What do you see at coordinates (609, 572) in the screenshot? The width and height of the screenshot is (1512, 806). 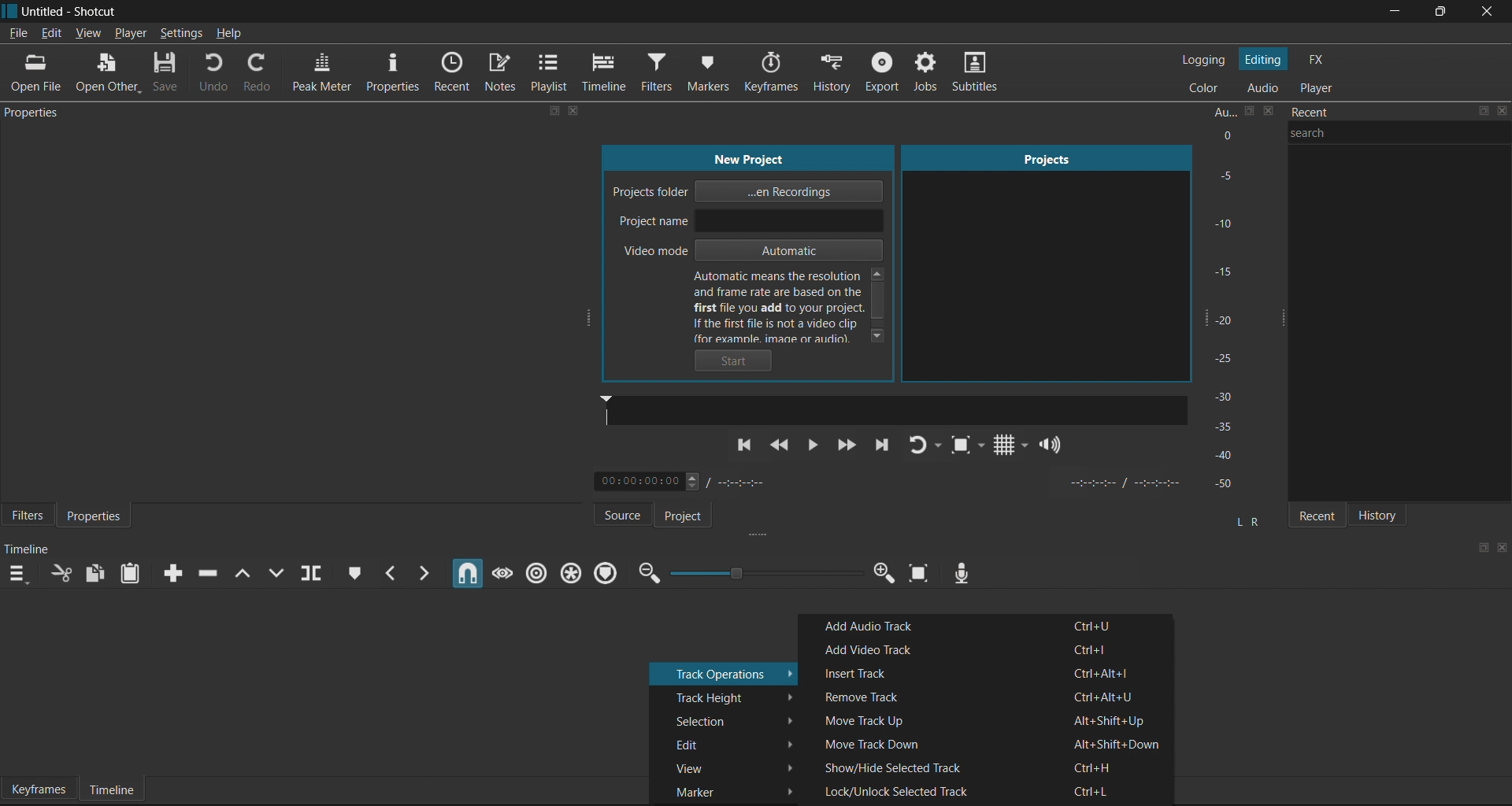 I see `Ripple Markers` at bounding box center [609, 572].